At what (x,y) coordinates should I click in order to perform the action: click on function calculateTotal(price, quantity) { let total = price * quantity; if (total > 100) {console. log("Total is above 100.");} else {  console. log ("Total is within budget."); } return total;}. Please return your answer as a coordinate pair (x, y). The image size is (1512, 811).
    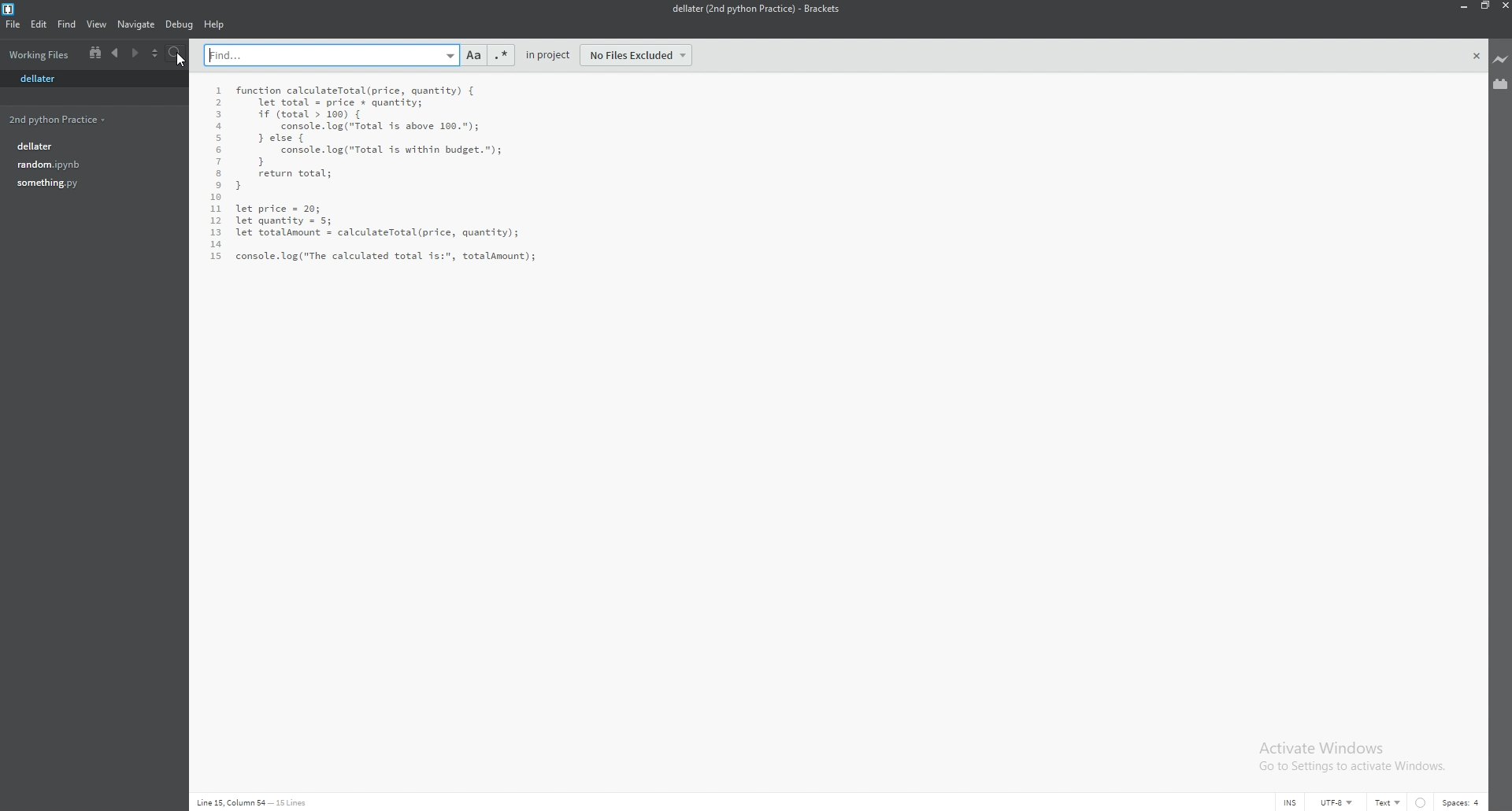
    Looking at the image, I should click on (368, 137).